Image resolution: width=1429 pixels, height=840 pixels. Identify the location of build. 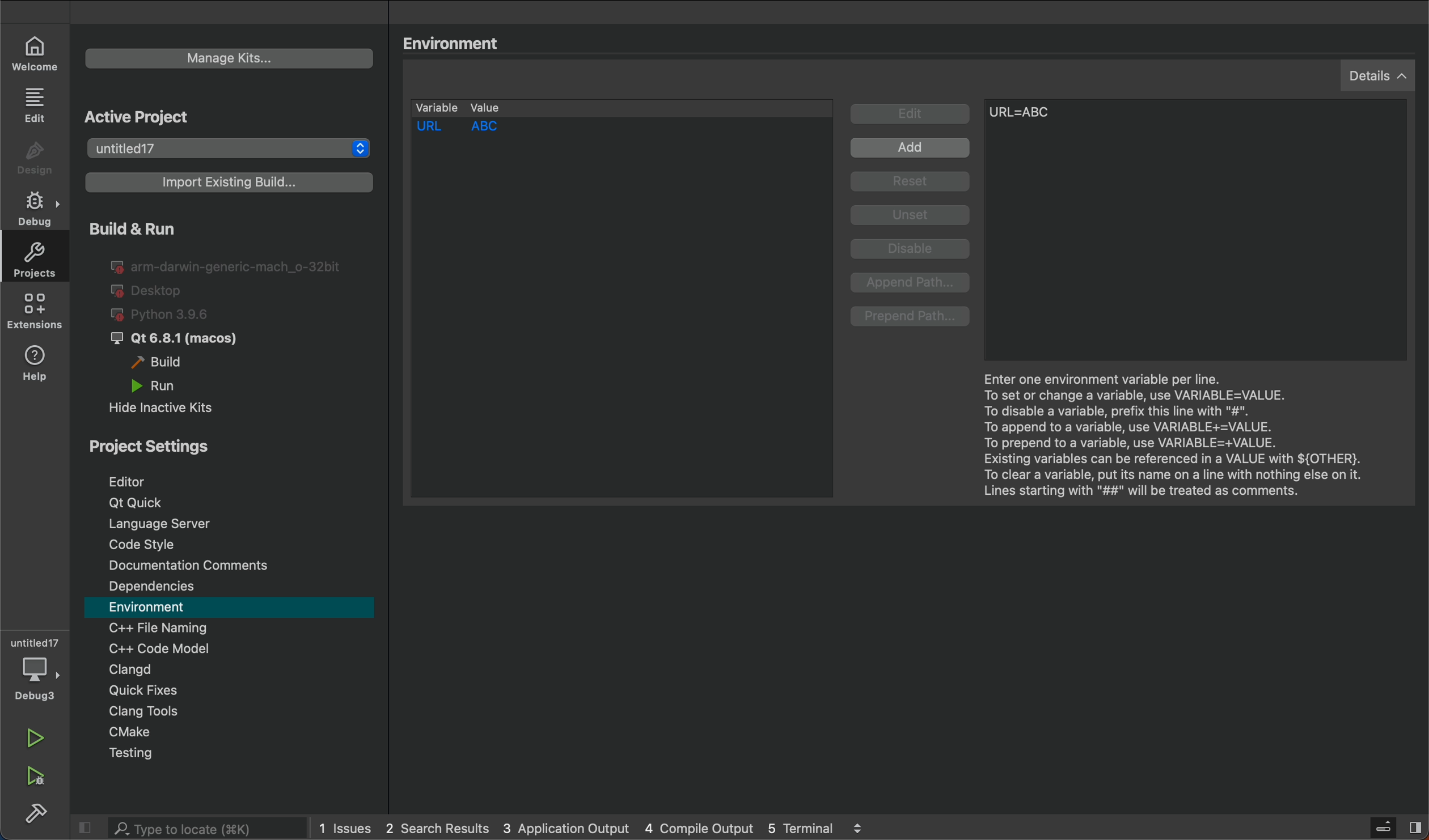
(34, 814).